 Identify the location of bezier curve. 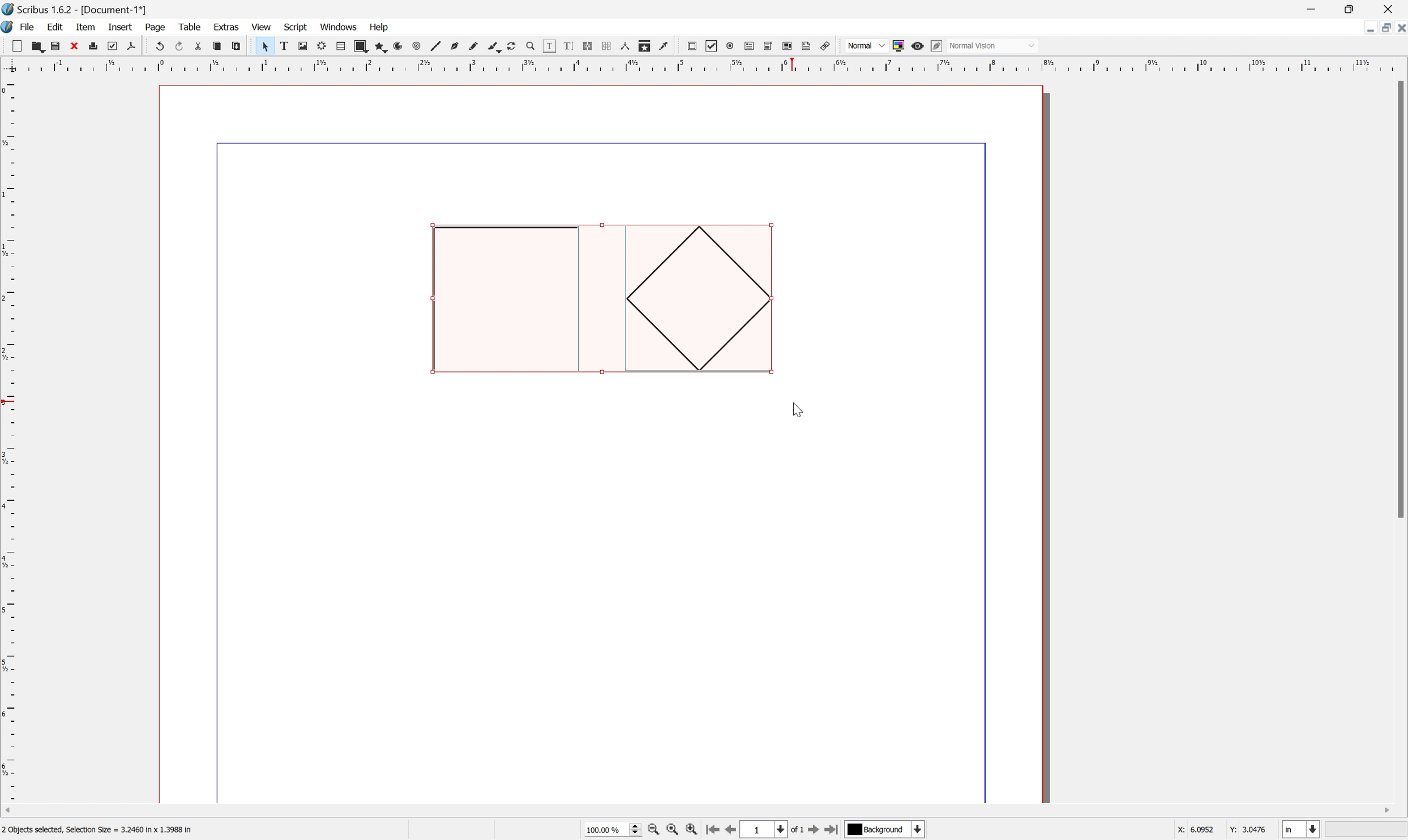
(452, 47).